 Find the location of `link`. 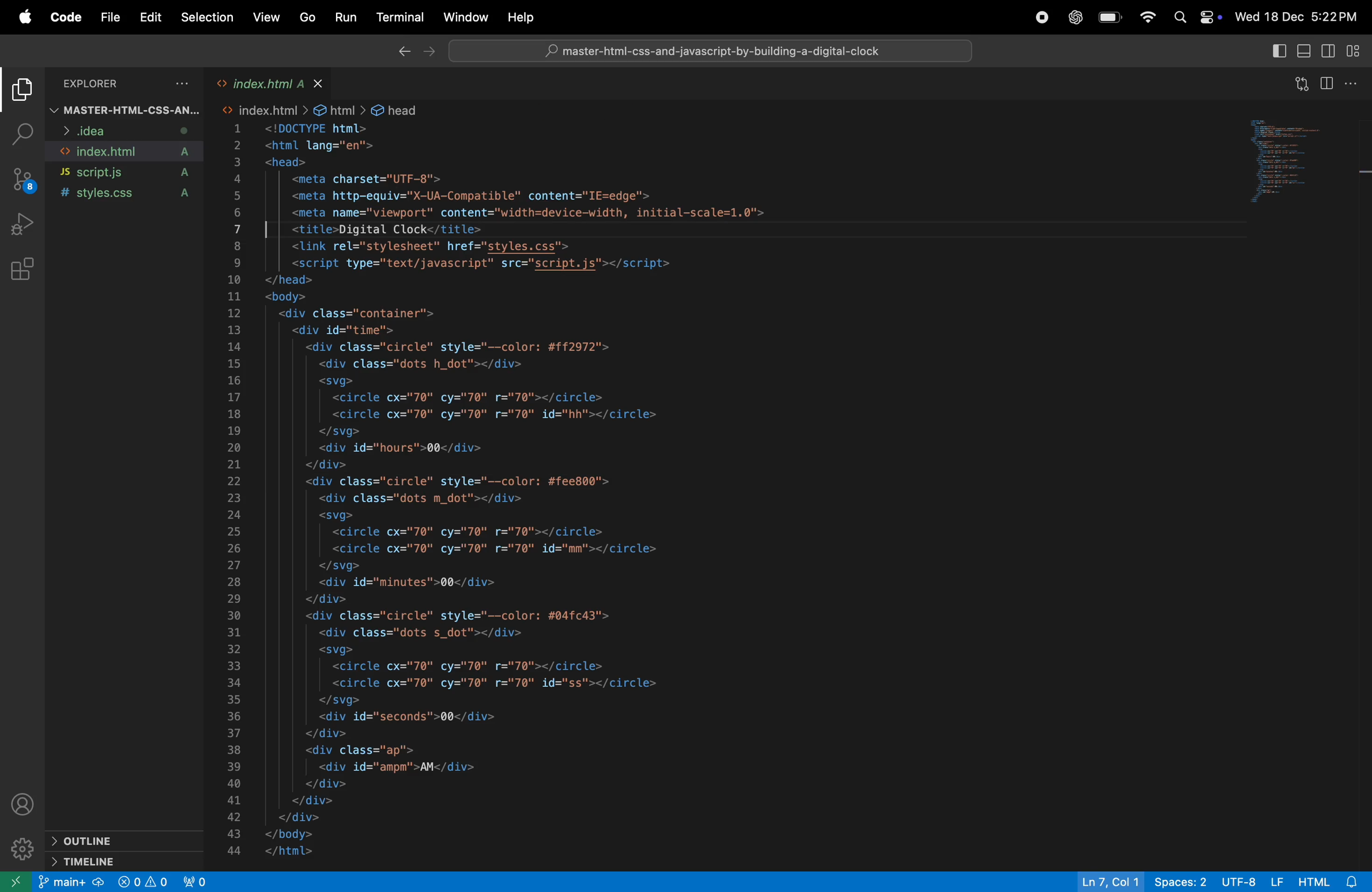

link is located at coordinates (576, 108).